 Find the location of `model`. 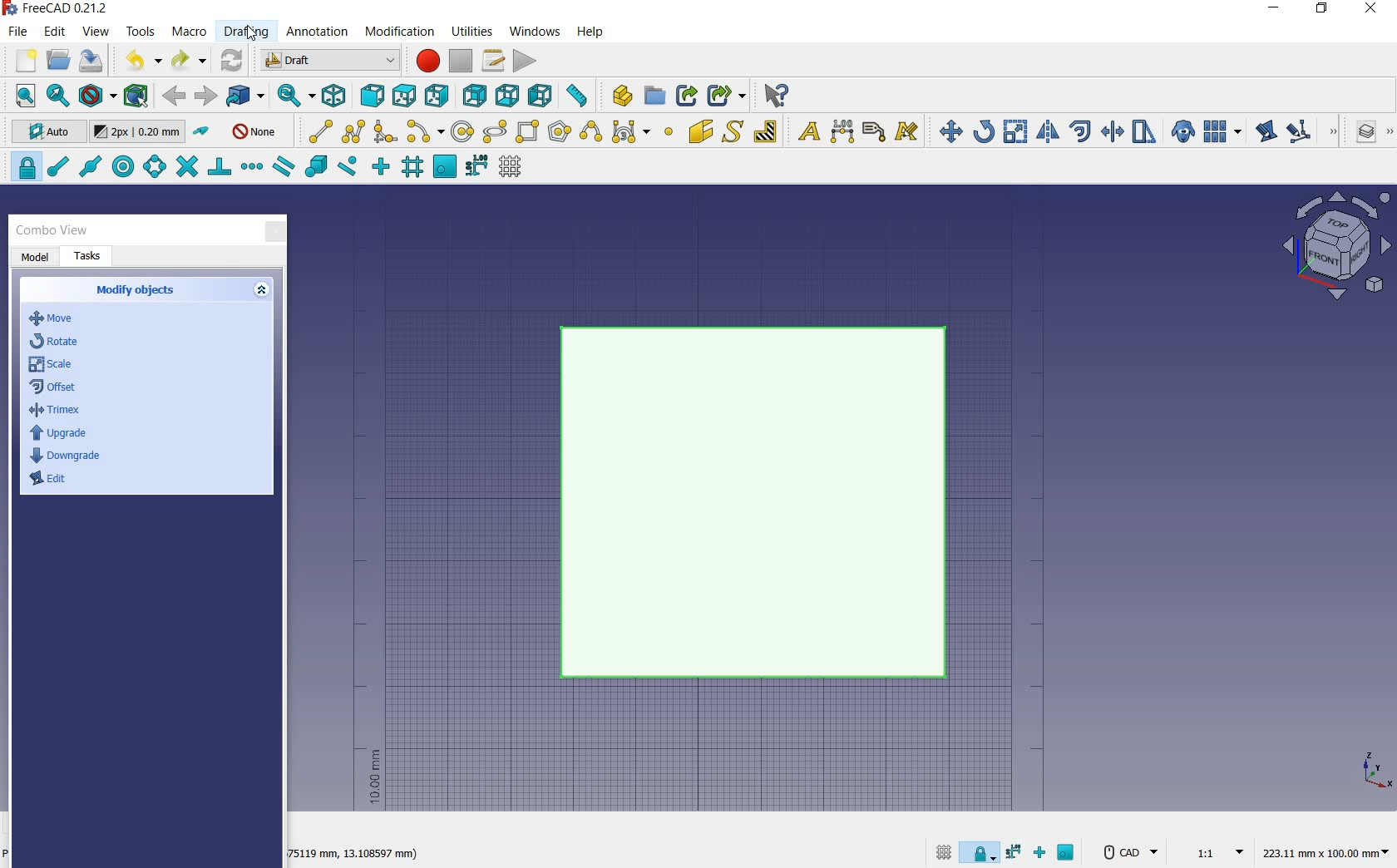

model is located at coordinates (36, 258).